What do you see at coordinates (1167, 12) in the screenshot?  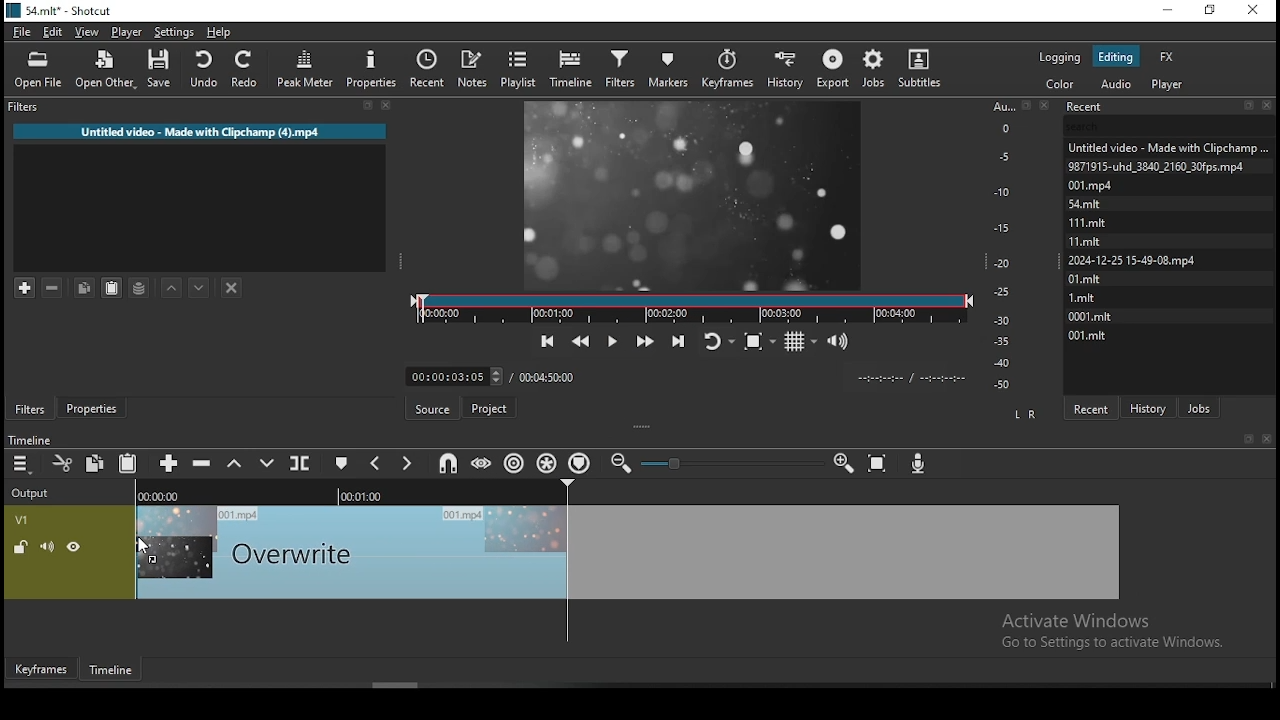 I see `minimize` at bounding box center [1167, 12].